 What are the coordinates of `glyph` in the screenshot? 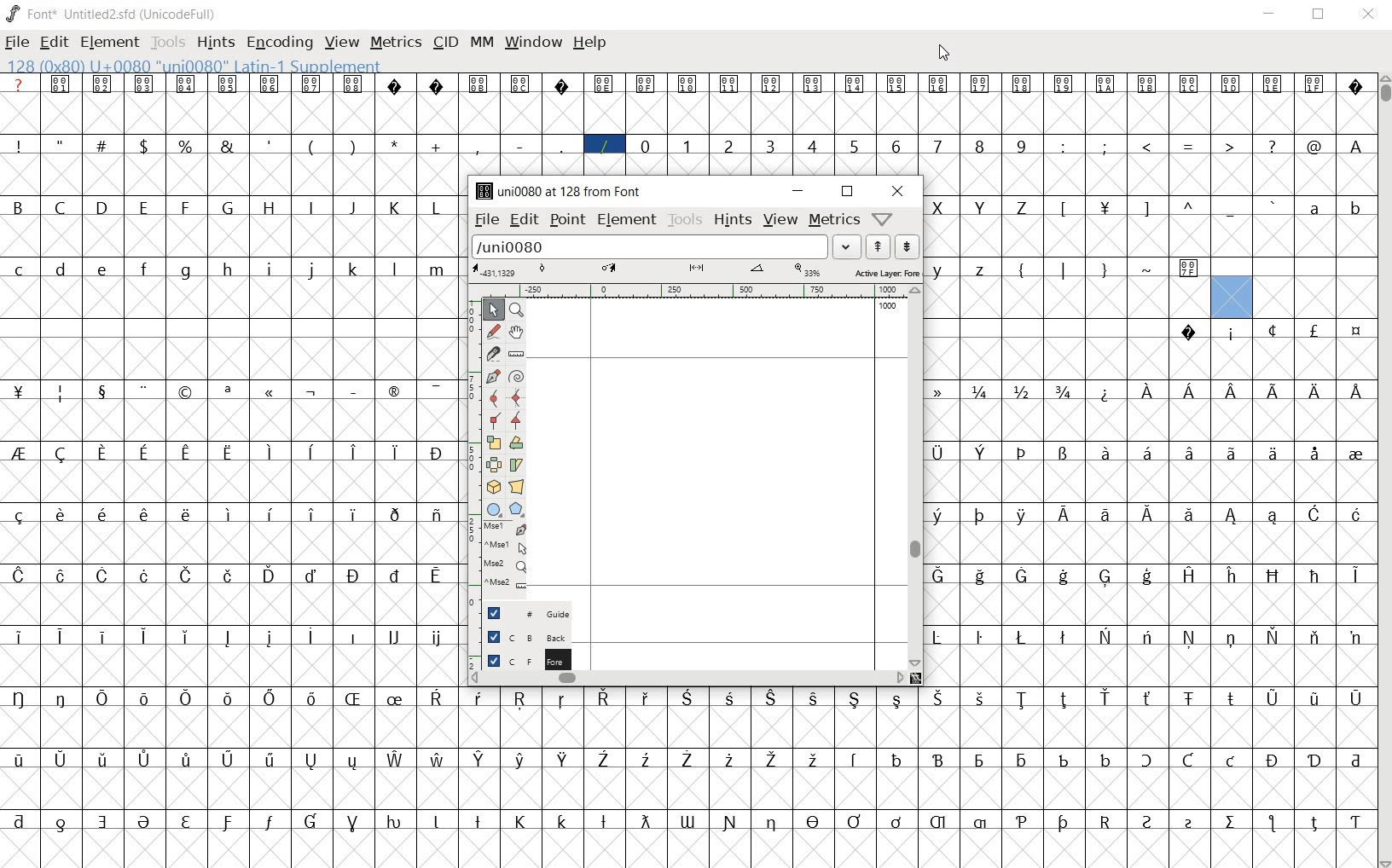 It's located at (771, 85).